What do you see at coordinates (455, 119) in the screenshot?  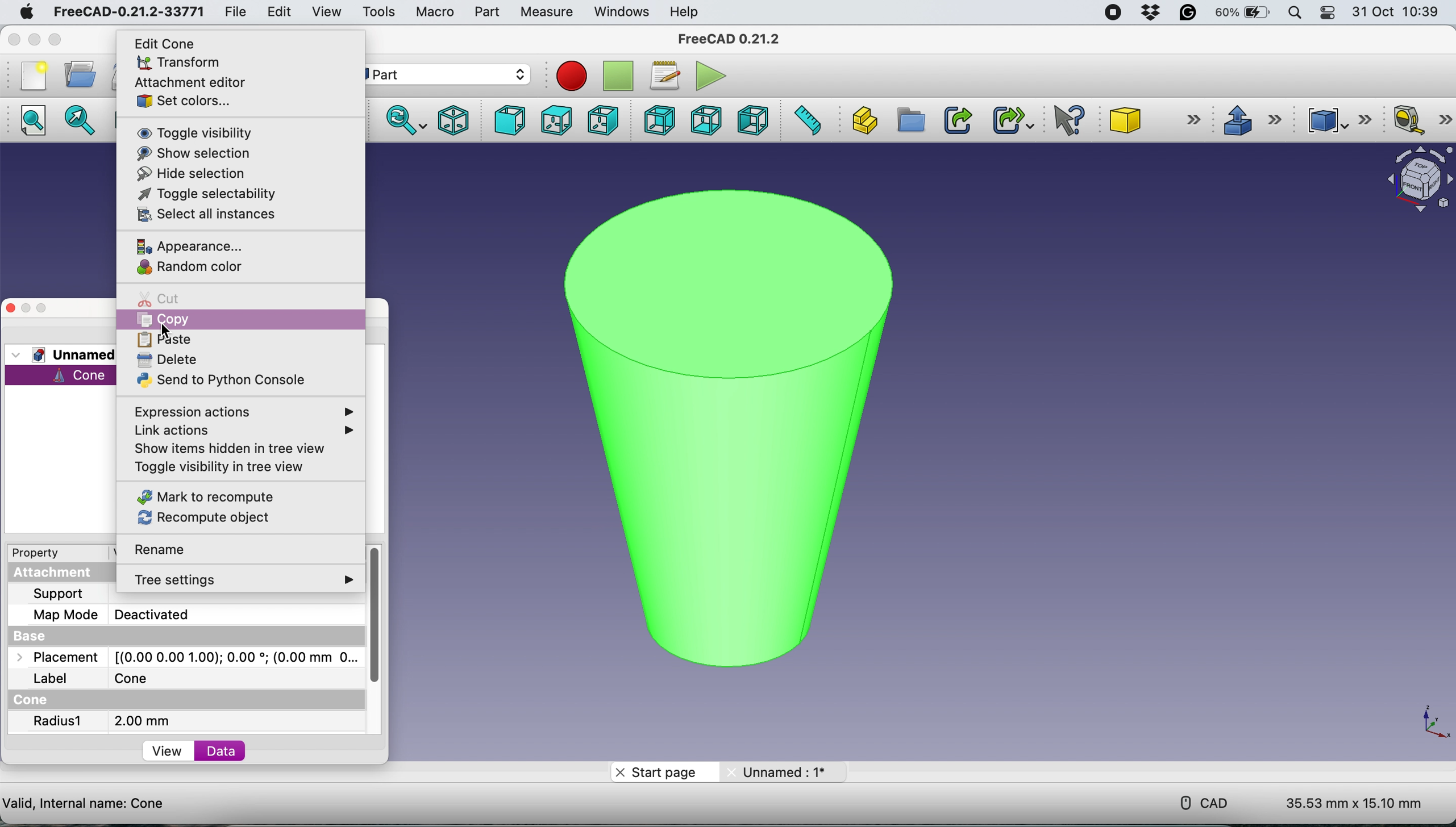 I see `isometric view` at bounding box center [455, 119].